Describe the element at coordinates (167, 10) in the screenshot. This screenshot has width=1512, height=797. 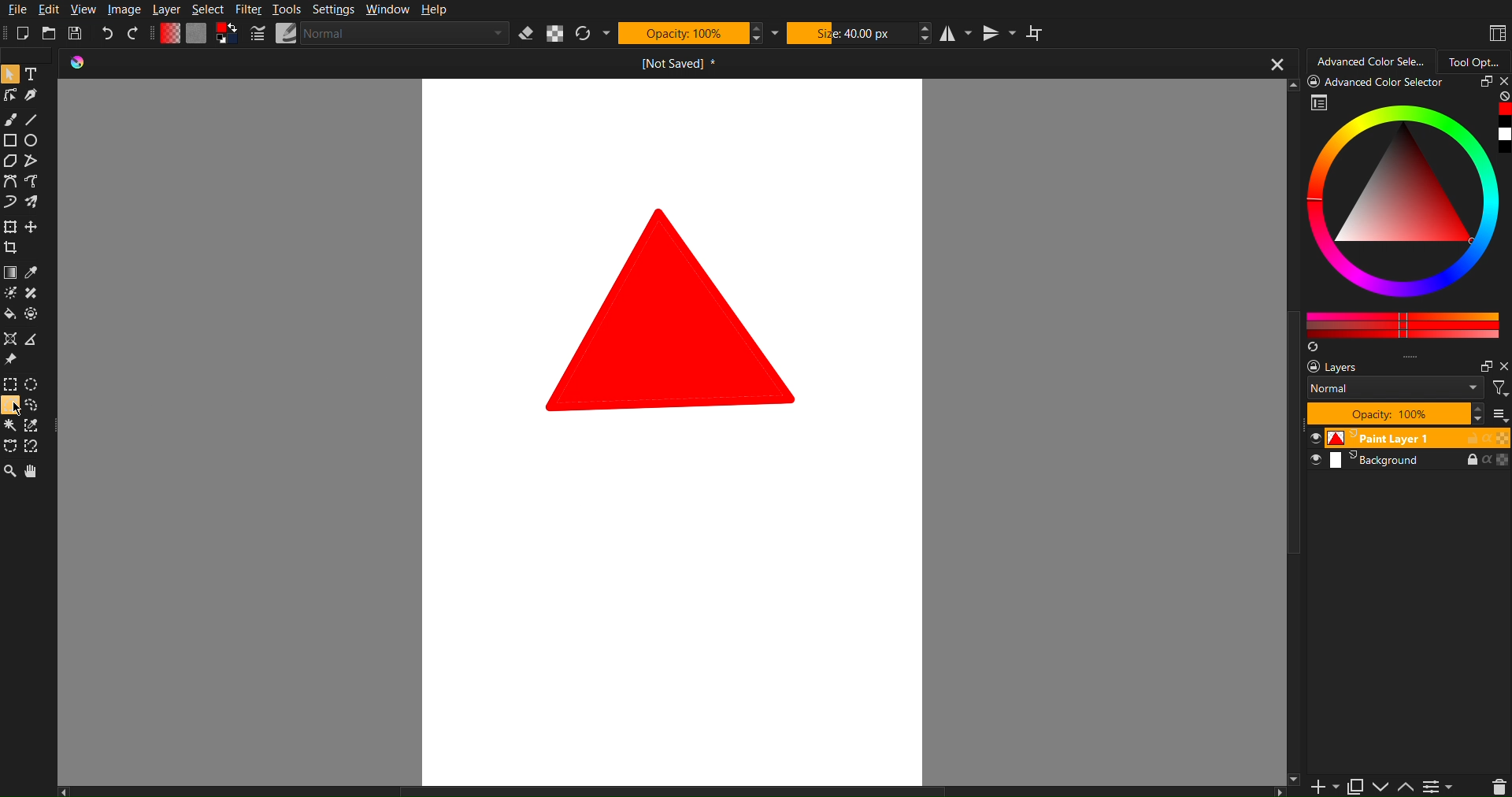
I see `Layer` at that location.